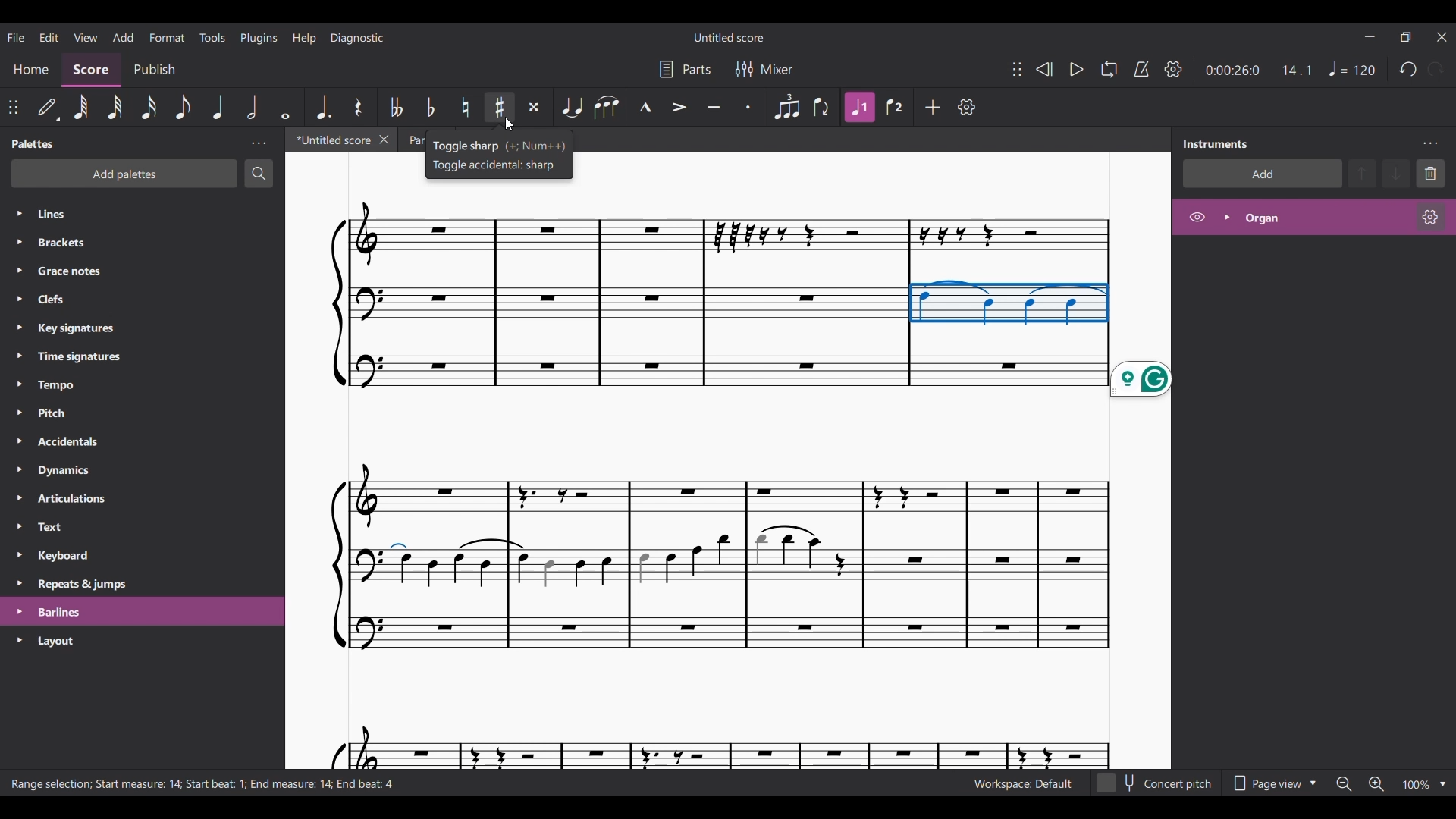 This screenshot has width=1456, height=819. I want to click on , so click(722, 621).